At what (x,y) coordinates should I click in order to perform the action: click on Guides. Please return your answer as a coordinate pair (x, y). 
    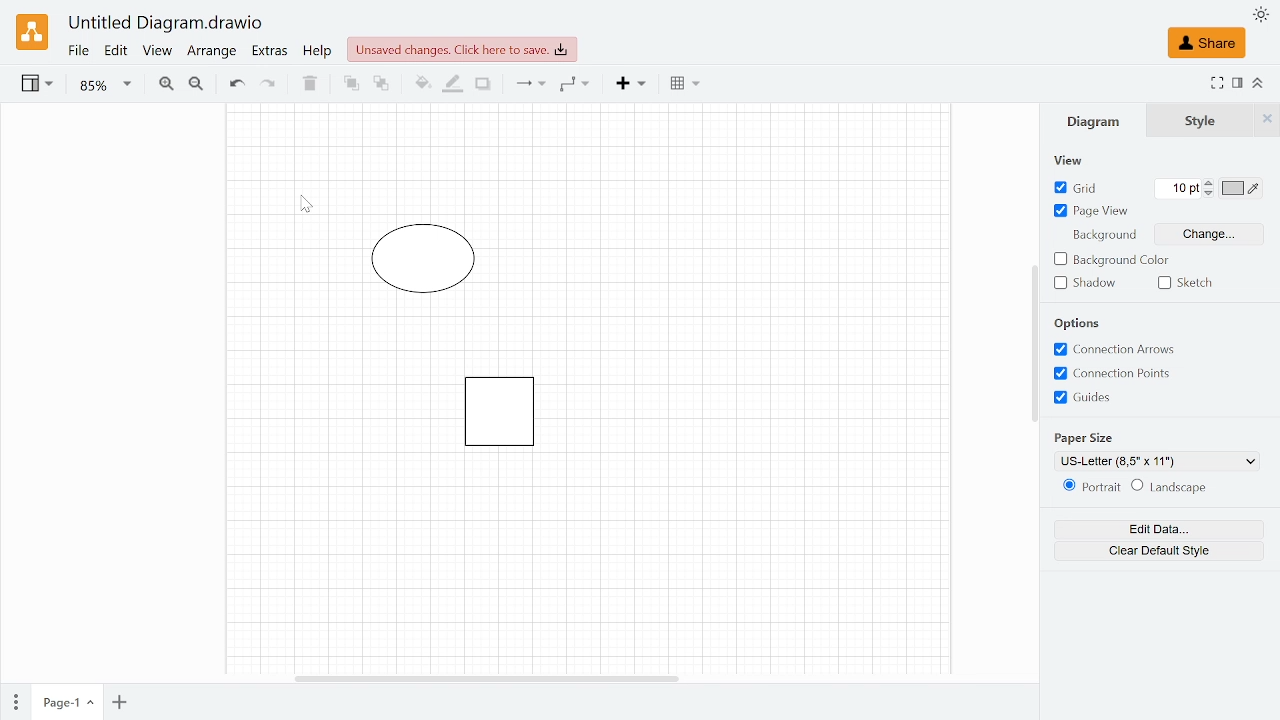
    Looking at the image, I should click on (1090, 398).